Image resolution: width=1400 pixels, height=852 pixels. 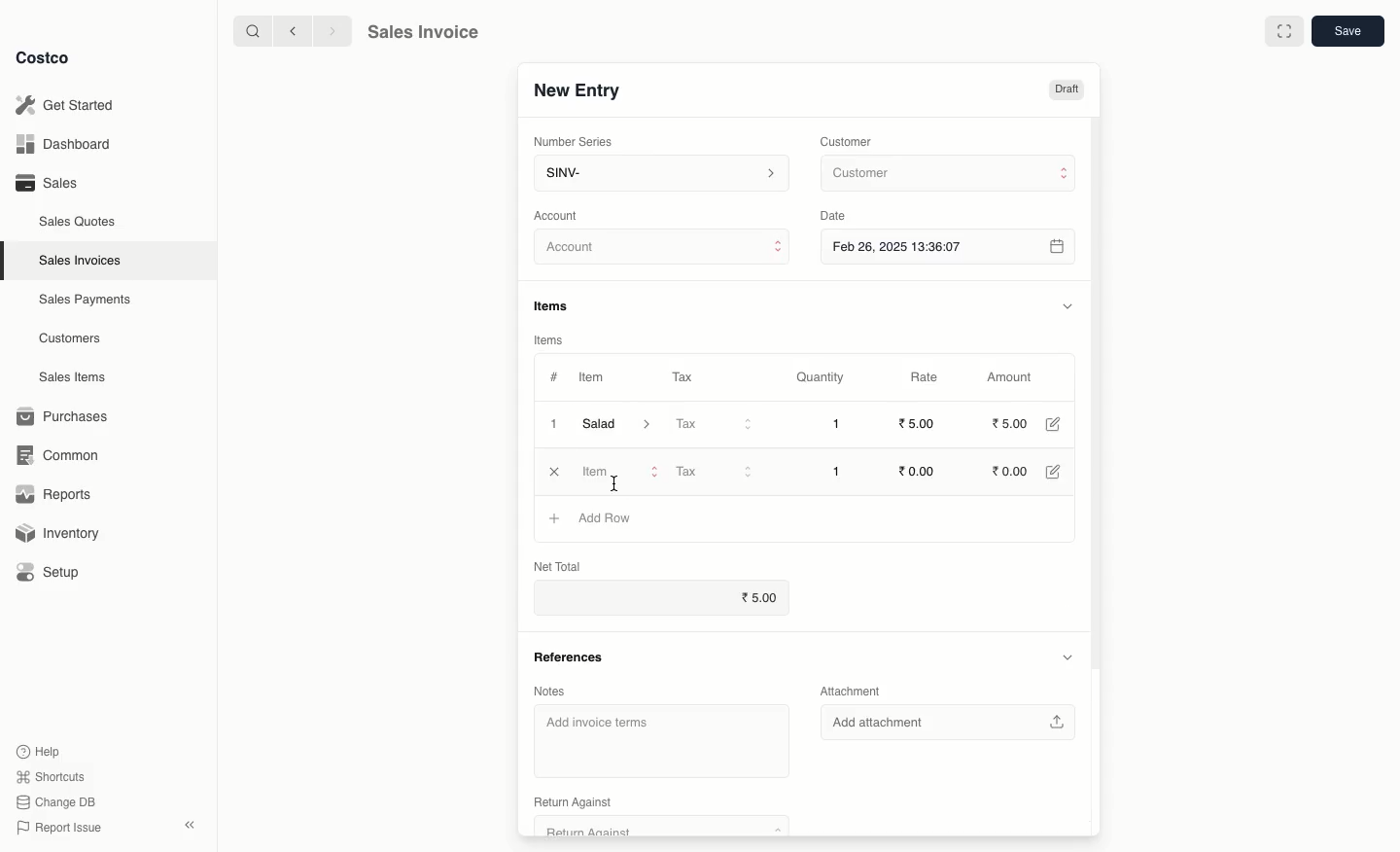 What do you see at coordinates (55, 572) in the screenshot?
I see `Setup` at bounding box center [55, 572].